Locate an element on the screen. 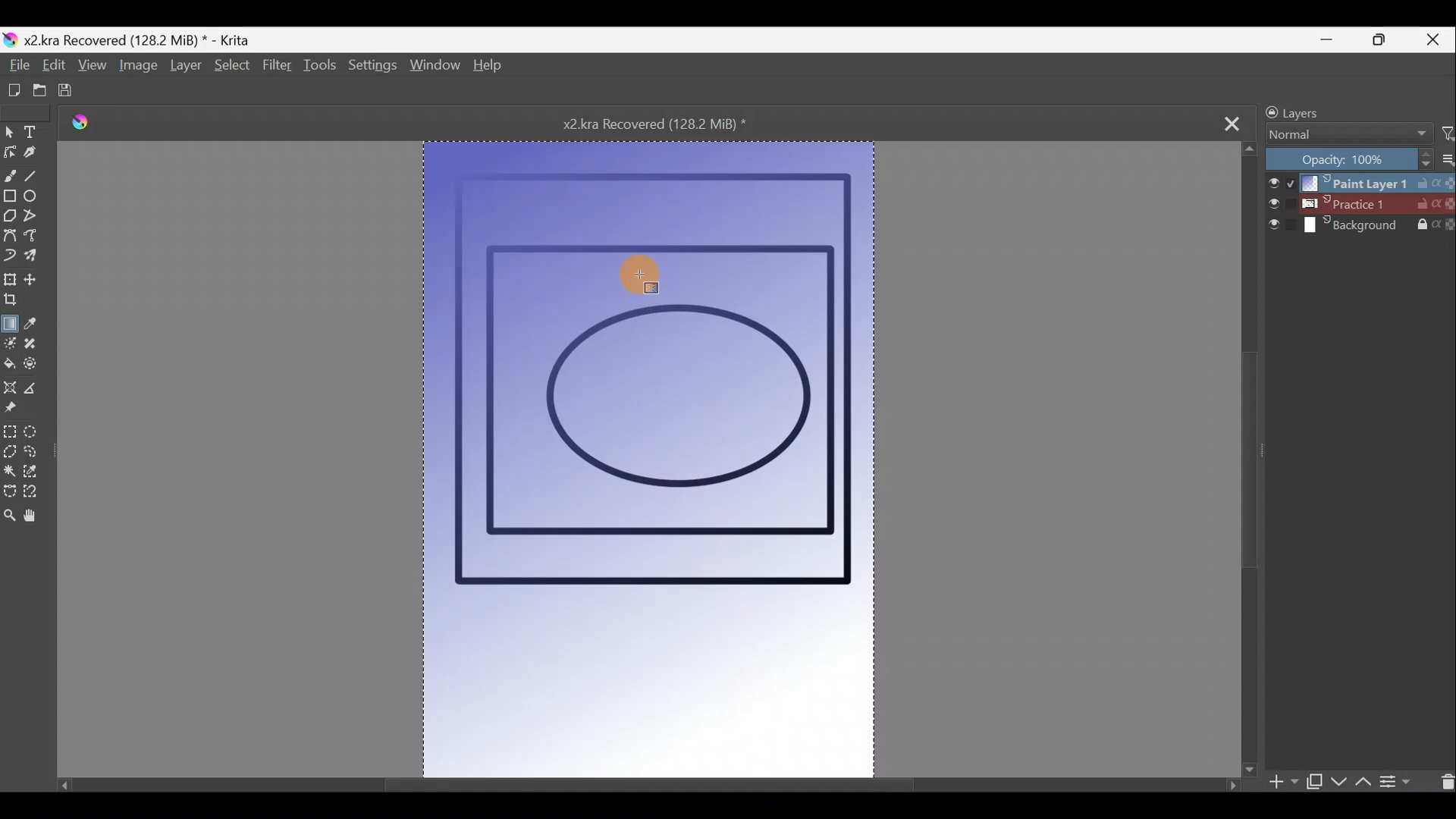  Create new document is located at coordinates (10, 90).